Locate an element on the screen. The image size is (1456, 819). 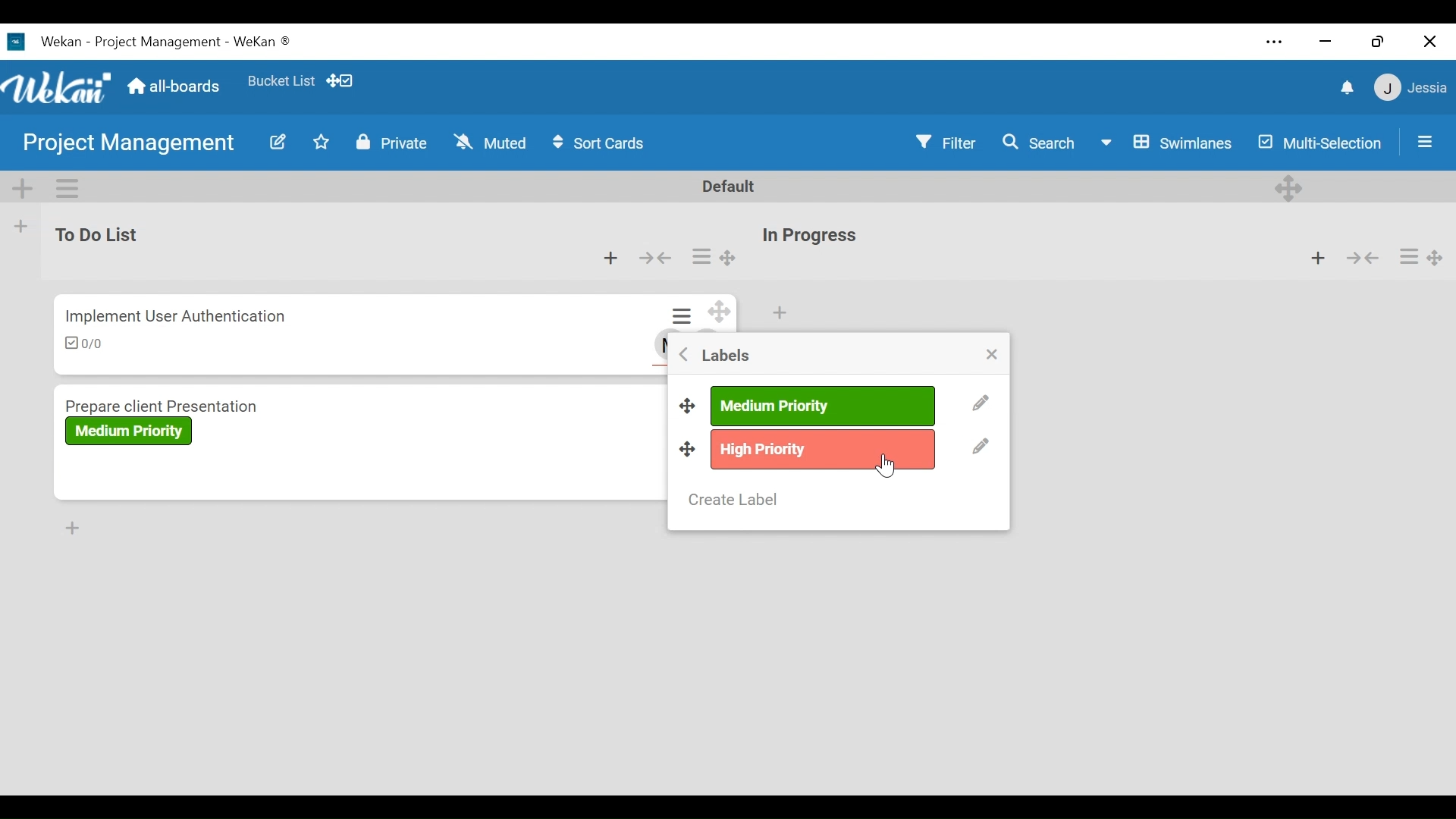
Member is located at coordinates (658, 345).